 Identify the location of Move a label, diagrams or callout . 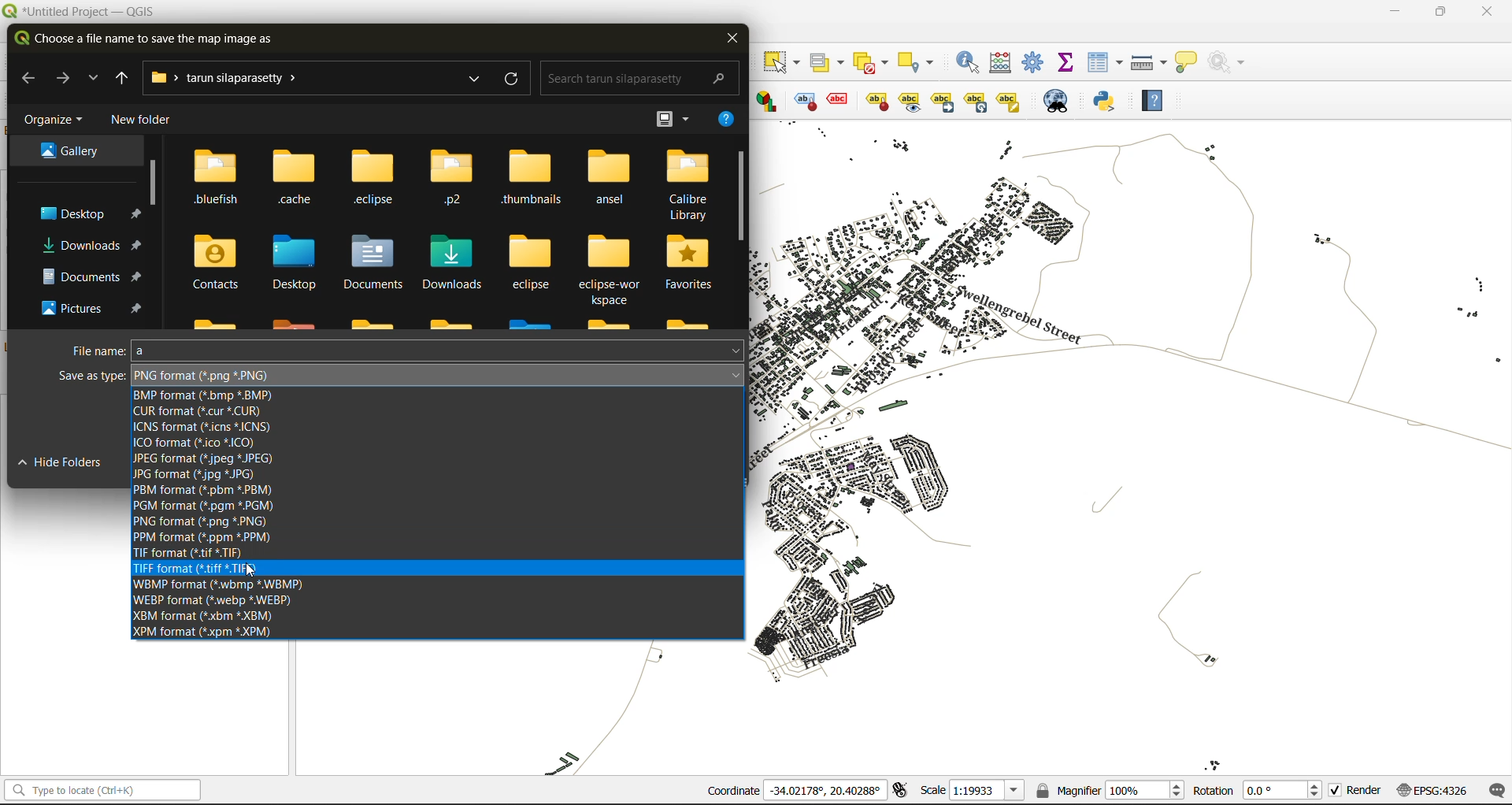
(910, 101).